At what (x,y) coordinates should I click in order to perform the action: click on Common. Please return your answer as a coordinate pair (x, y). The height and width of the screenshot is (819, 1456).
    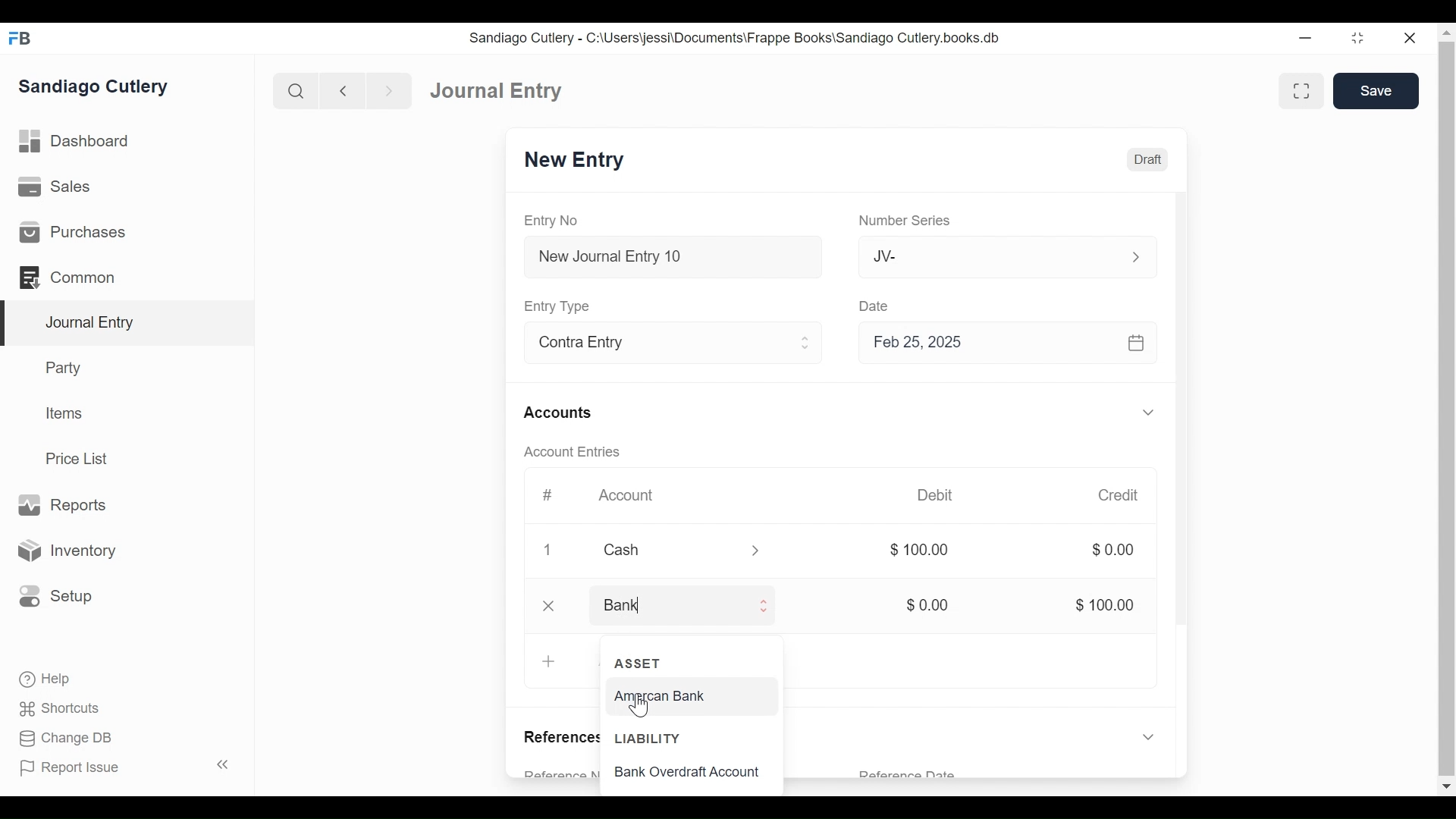
    Looking at the image, I should click on (68, 276).